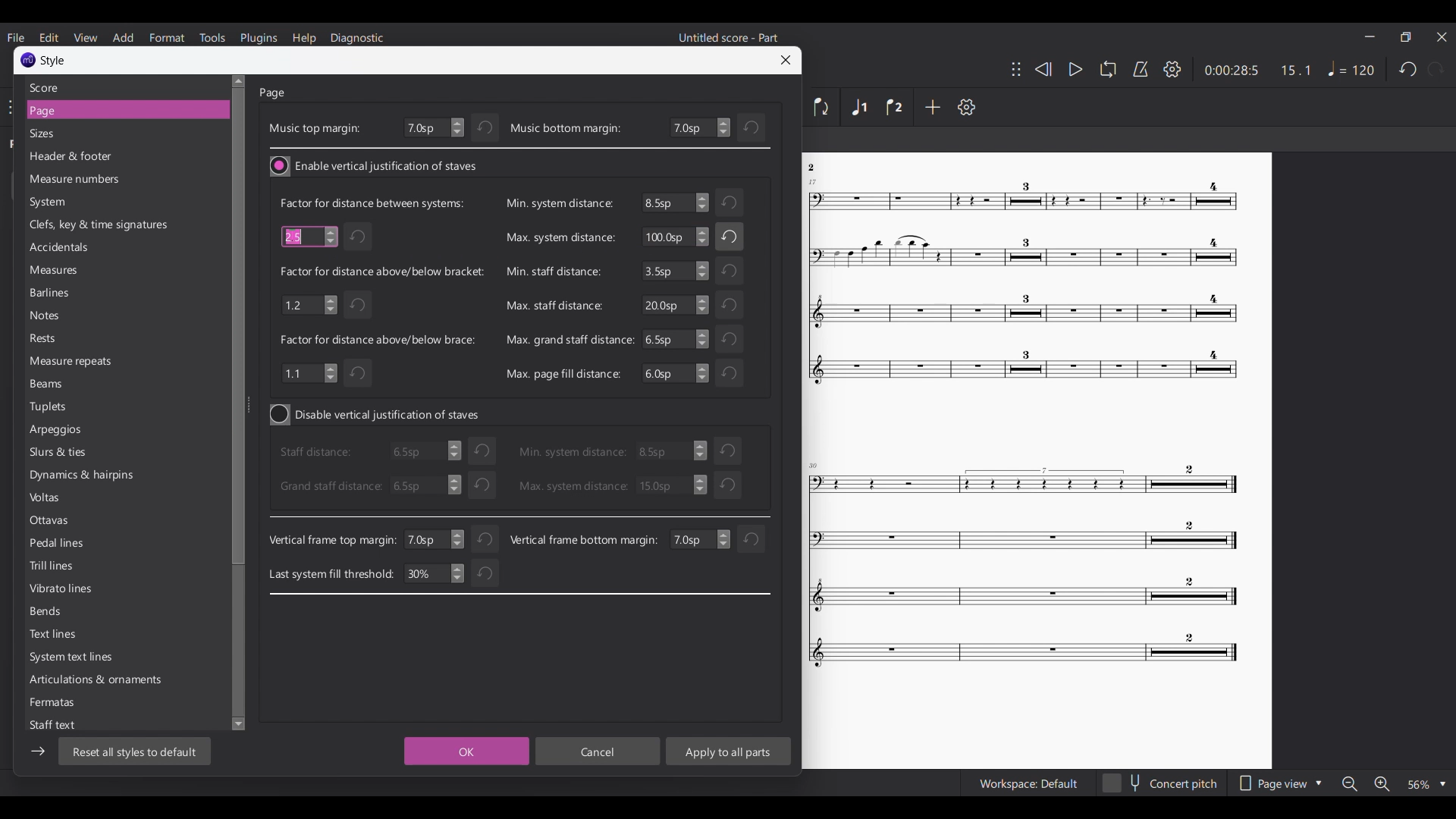 This screenshot has width=1456, height=819. Describe the element at coordinates (1172, 69) in the screenshot. I see `Settings` at that location.